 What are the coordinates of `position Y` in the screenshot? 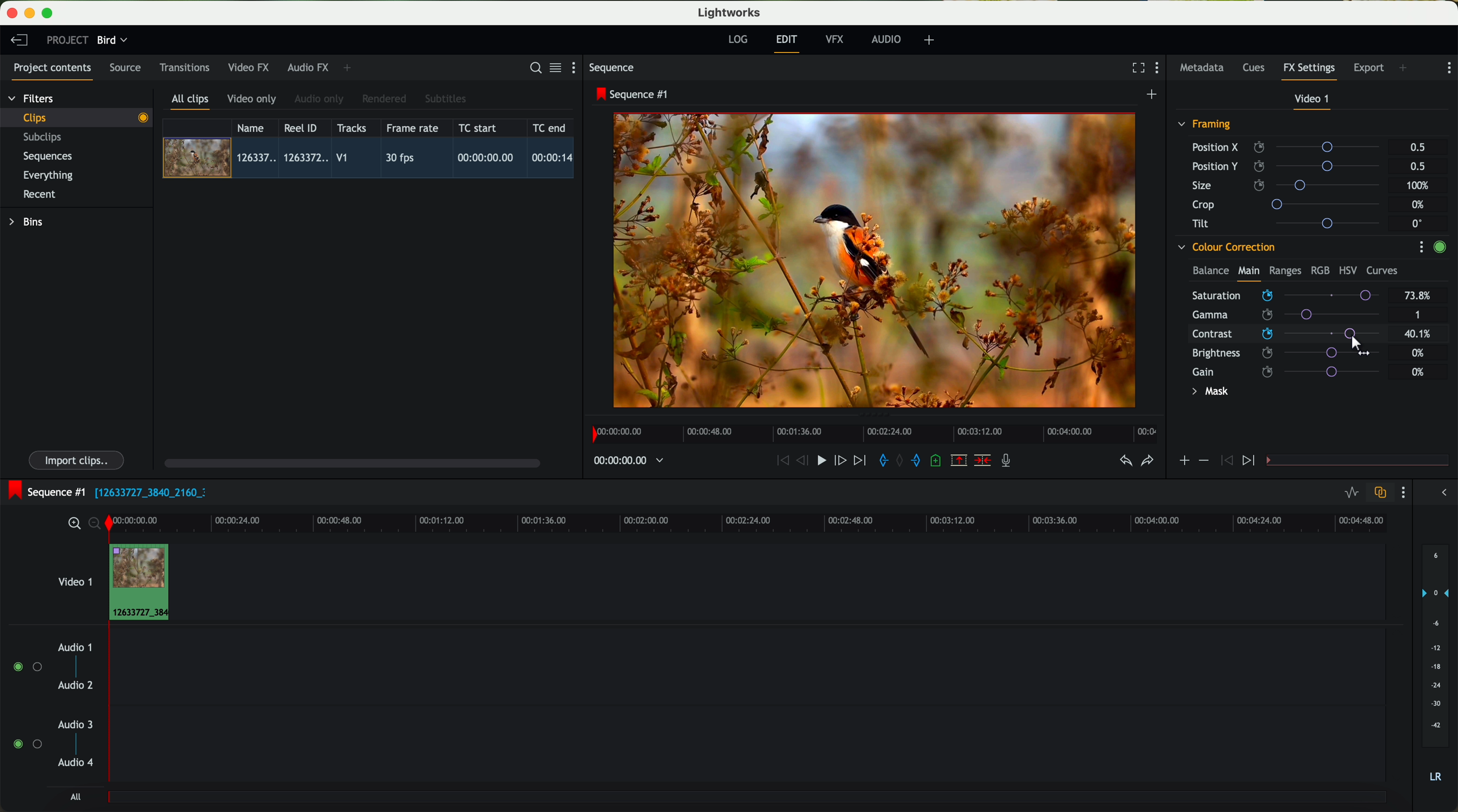 It's located at (1290, 166).